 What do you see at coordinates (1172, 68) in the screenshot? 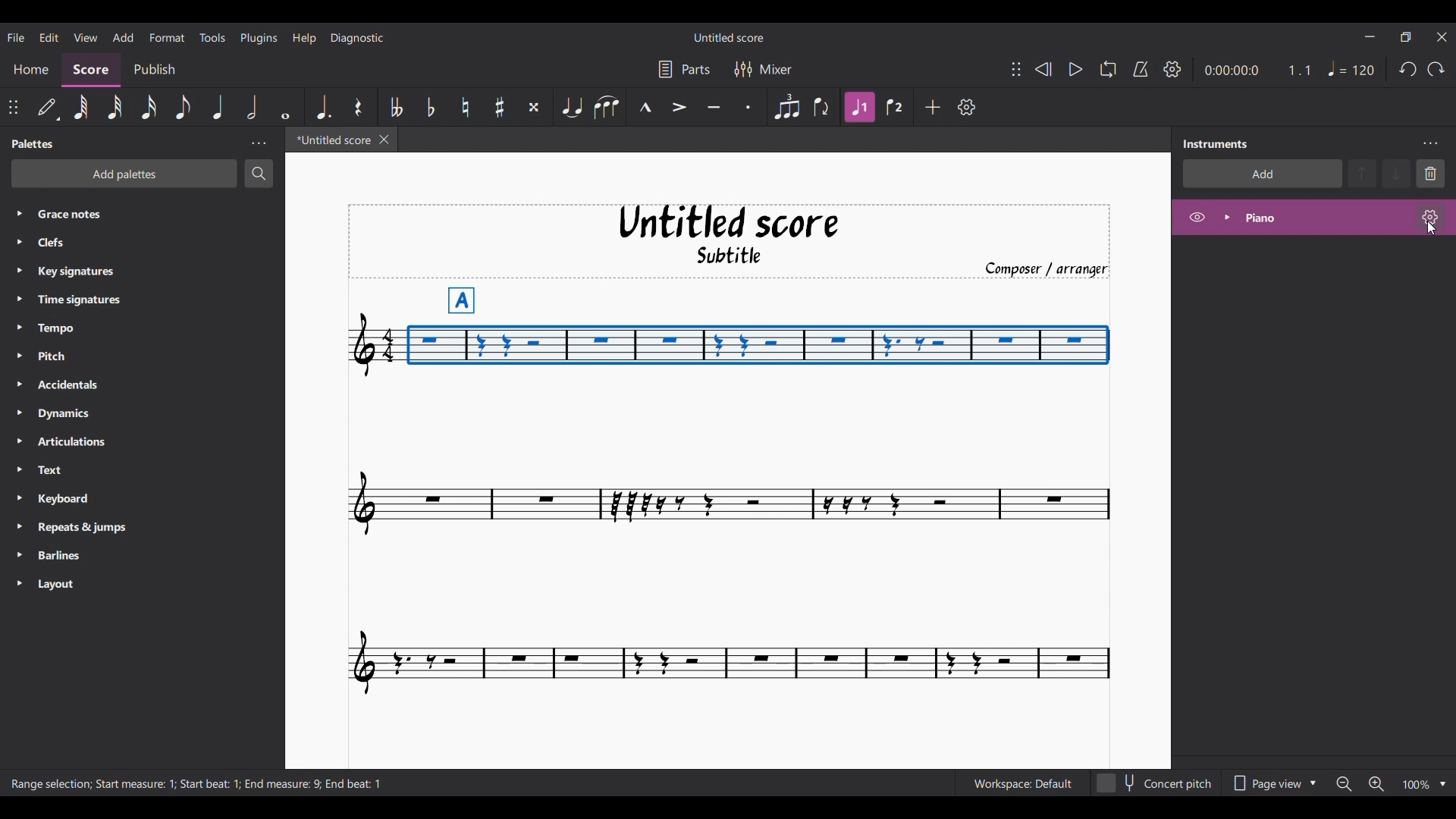
I see `Playback settings` at bounding box center [1172, 68].